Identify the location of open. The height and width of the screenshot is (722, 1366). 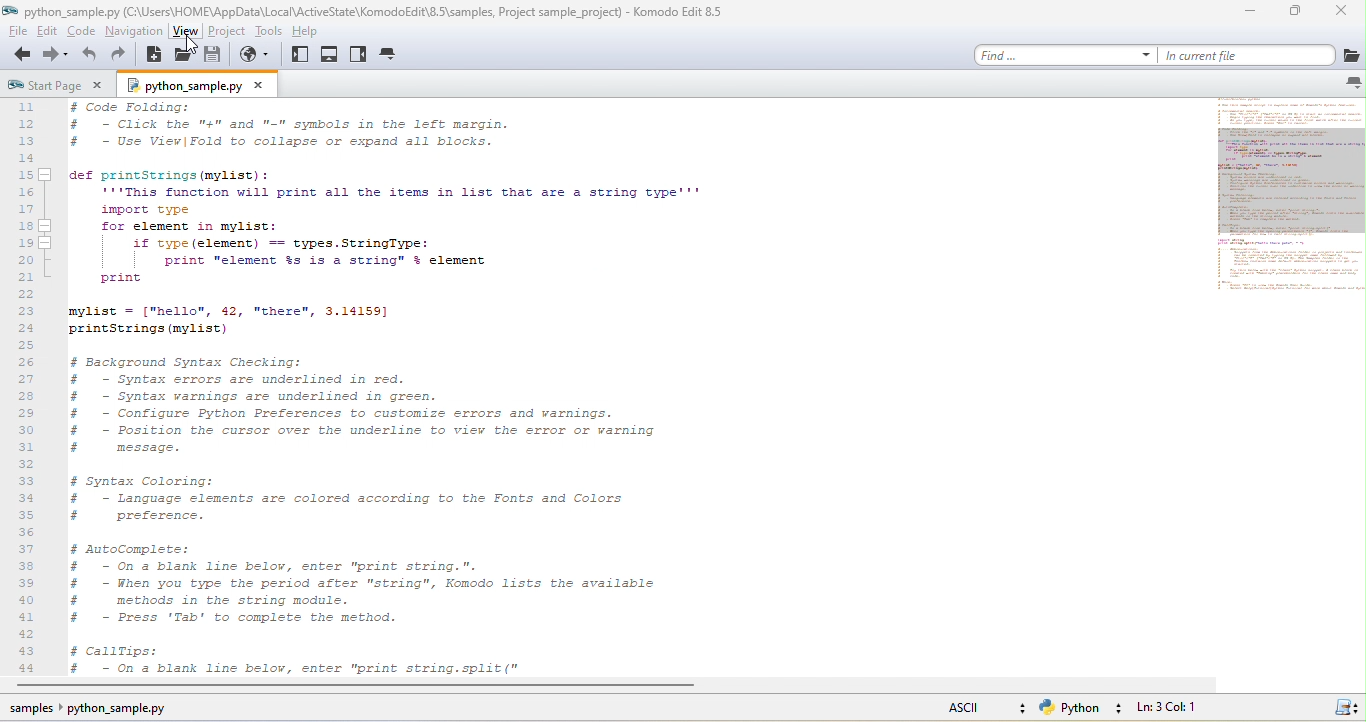
(184, 58).